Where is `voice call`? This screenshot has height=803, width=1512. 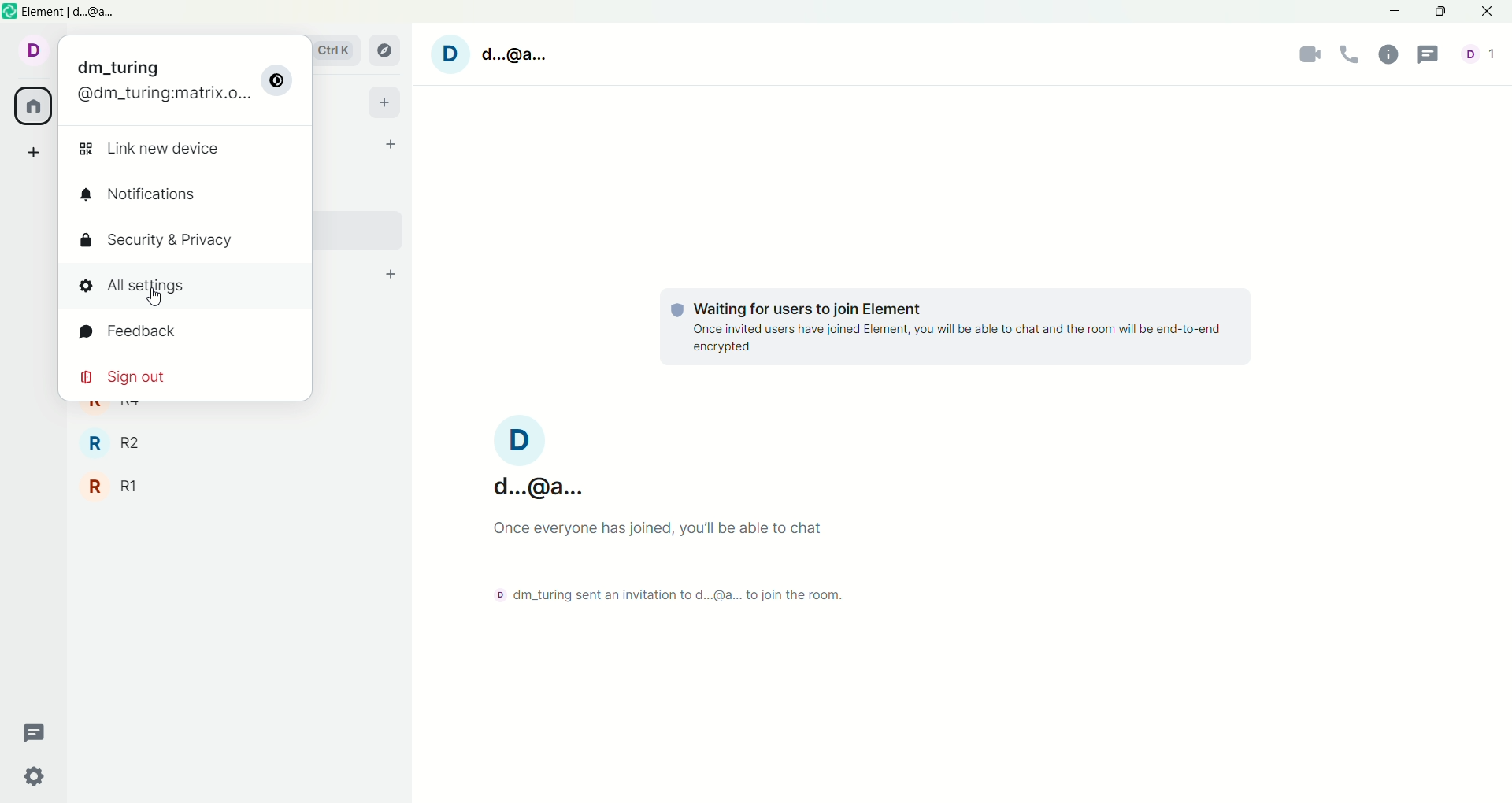
voice call is located at coordinates (1354, 55).